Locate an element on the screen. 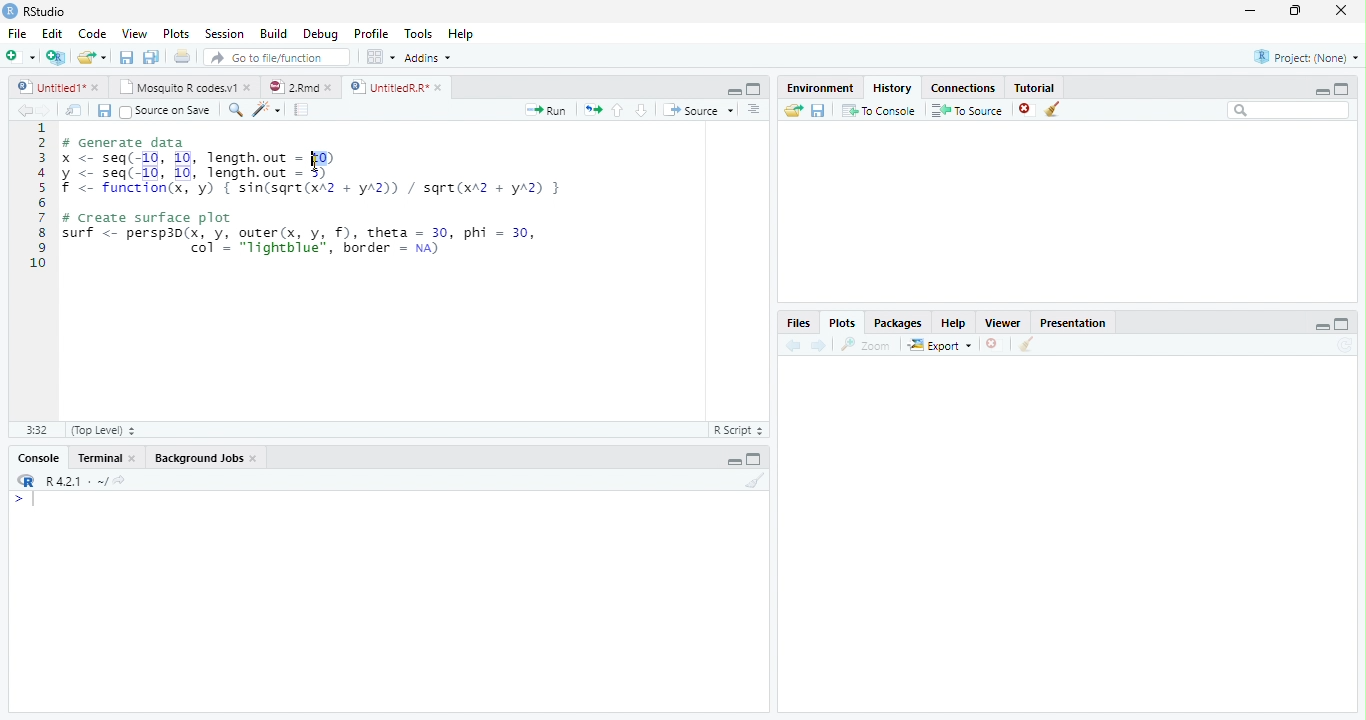 This screenshot has height=720, width=1366. Go to next section/chunk is located at coordinates (641, 109).